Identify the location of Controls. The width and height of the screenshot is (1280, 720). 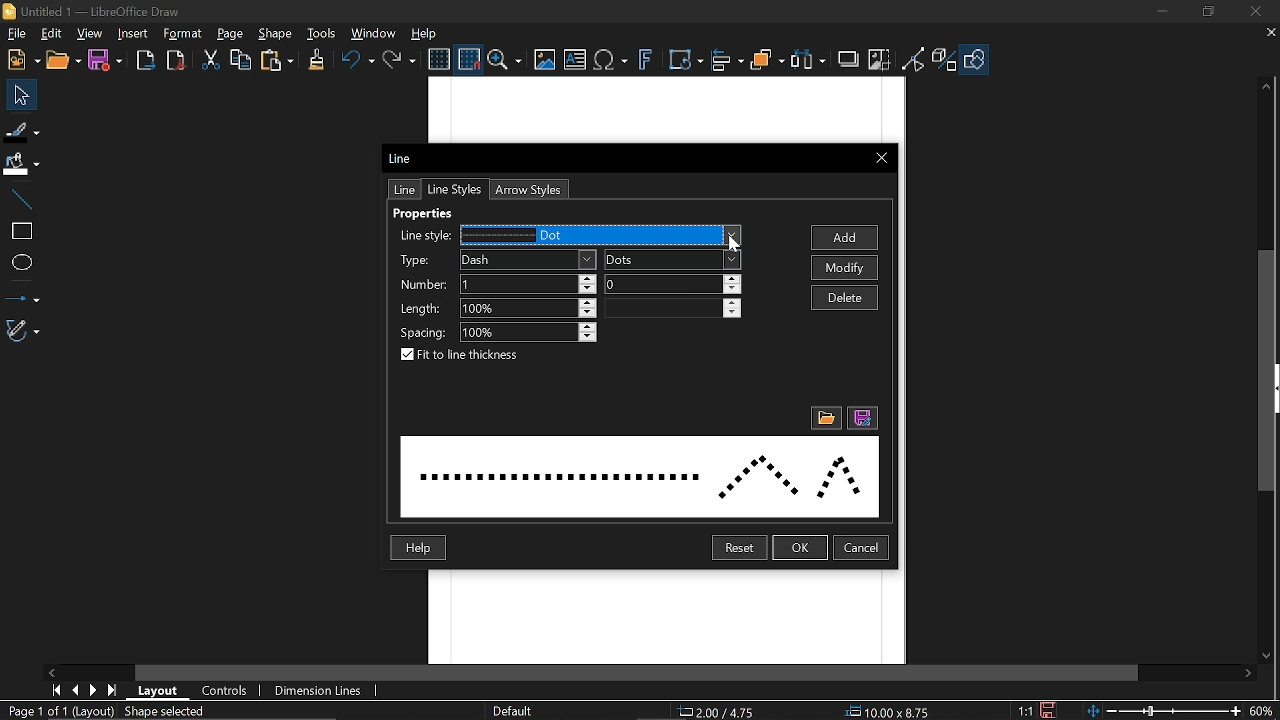
(225, 691).